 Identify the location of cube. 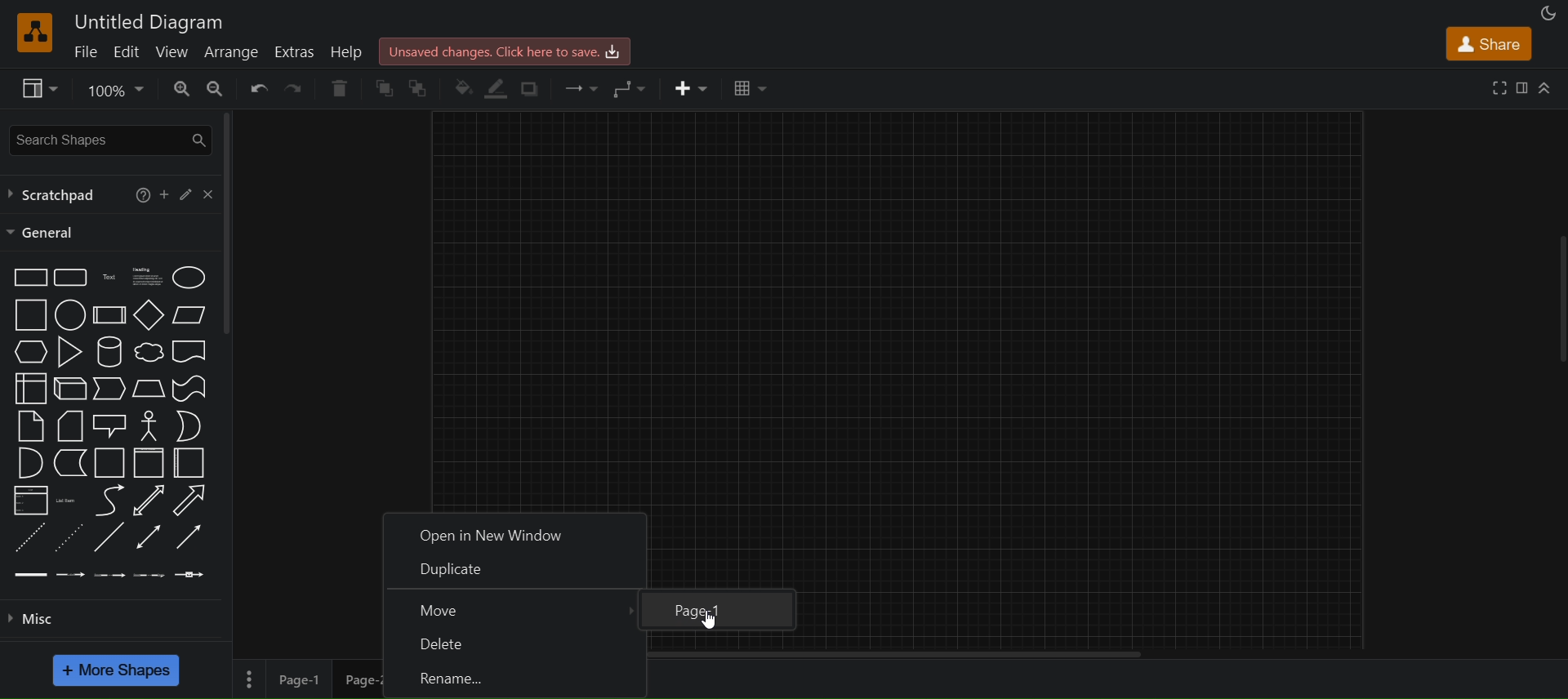
(68, 389).